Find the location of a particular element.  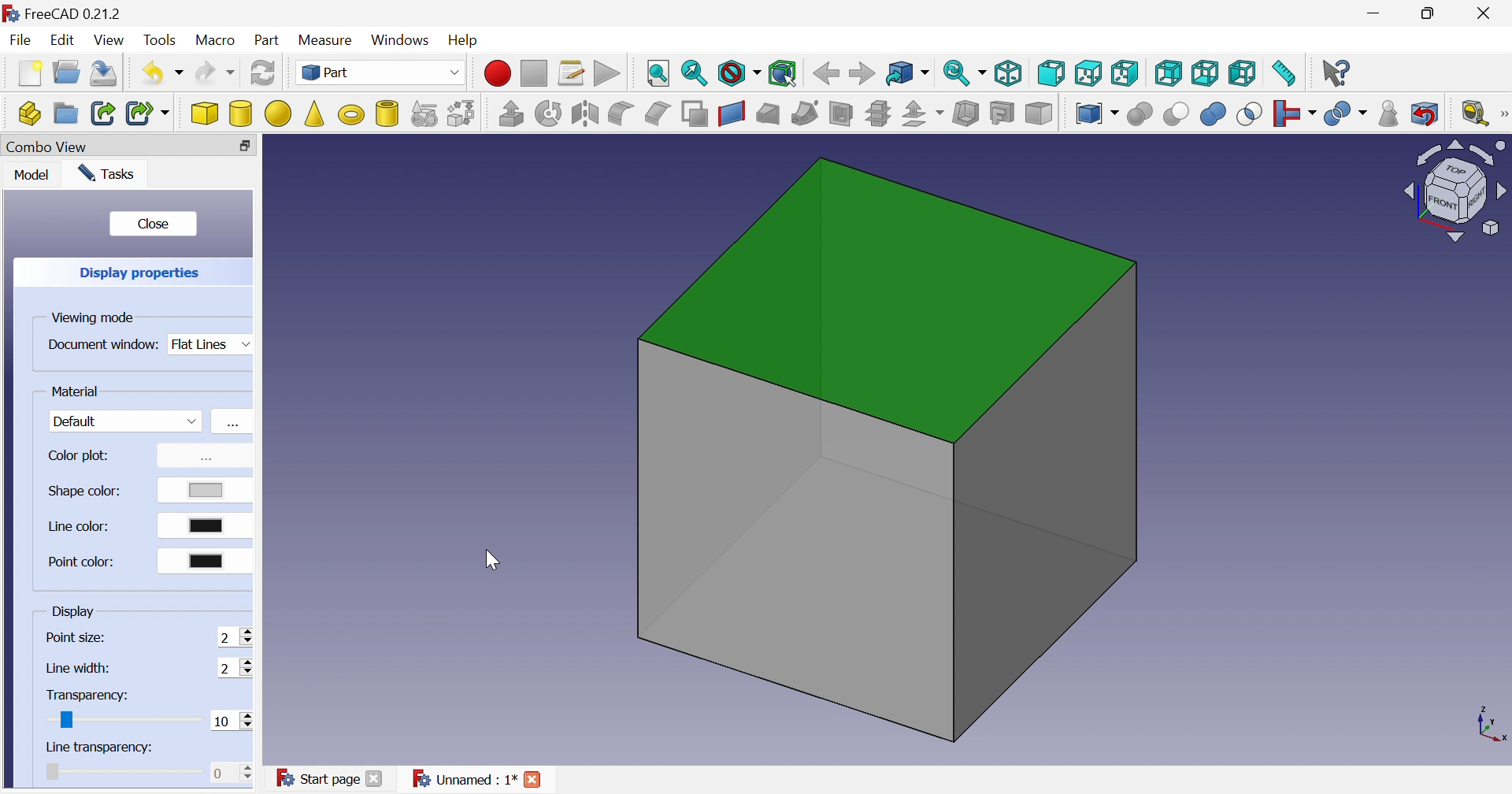

Thickness is located at coordinates (966, 111).